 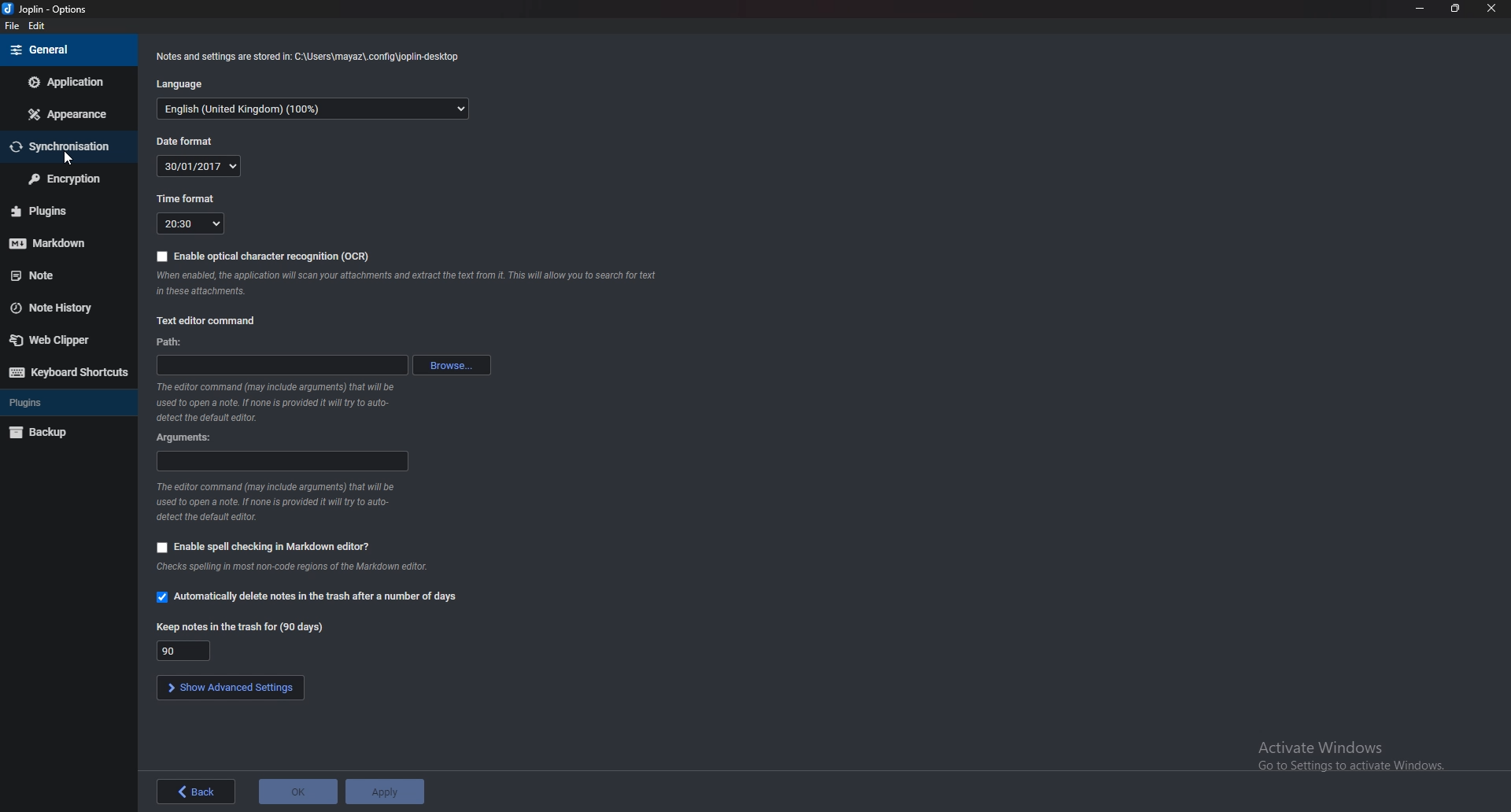 I want to click on keyboard shortcuts, so click(x=65, y=371).